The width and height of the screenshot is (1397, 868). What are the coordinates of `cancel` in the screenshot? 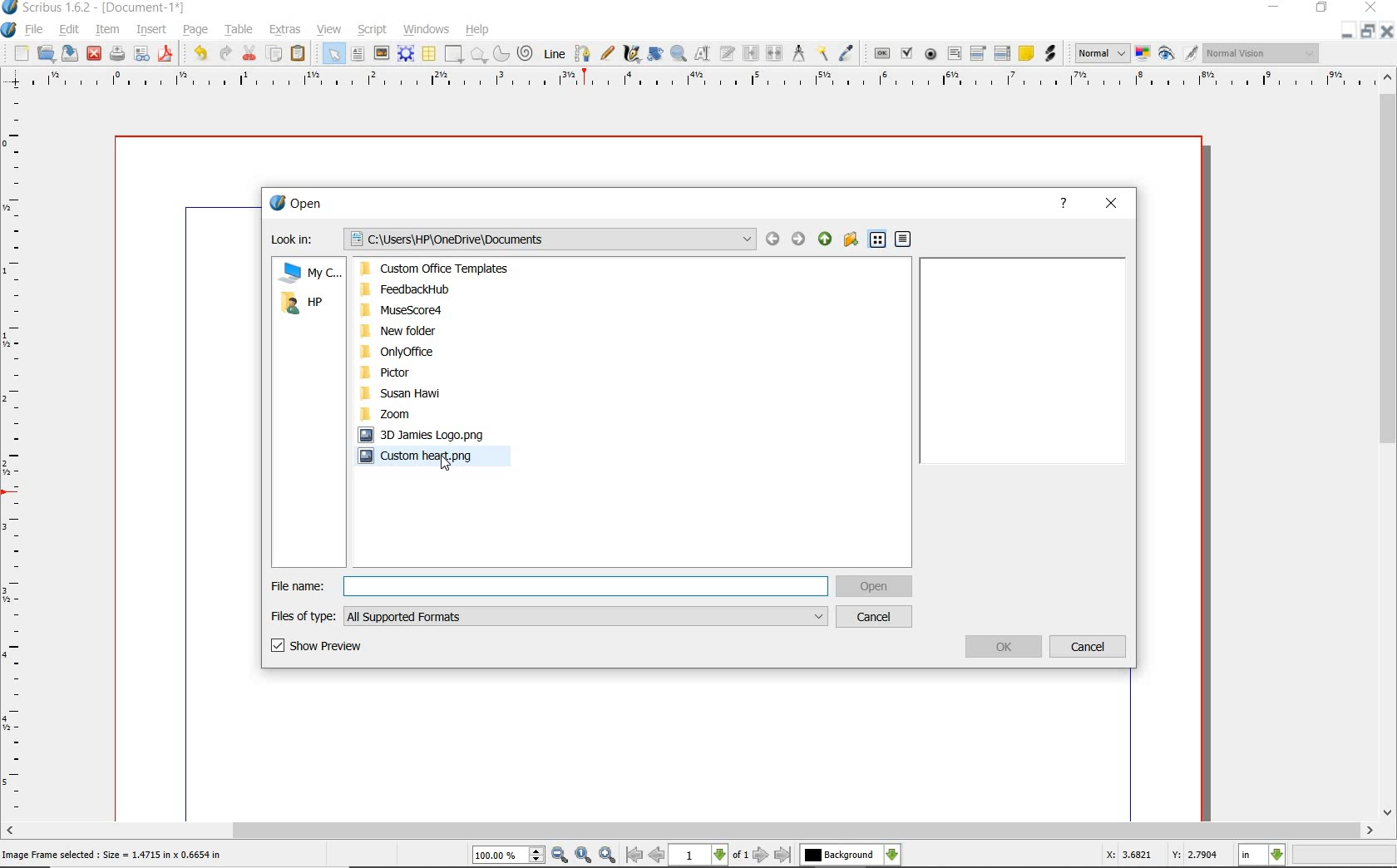 It's located at (876, 617).